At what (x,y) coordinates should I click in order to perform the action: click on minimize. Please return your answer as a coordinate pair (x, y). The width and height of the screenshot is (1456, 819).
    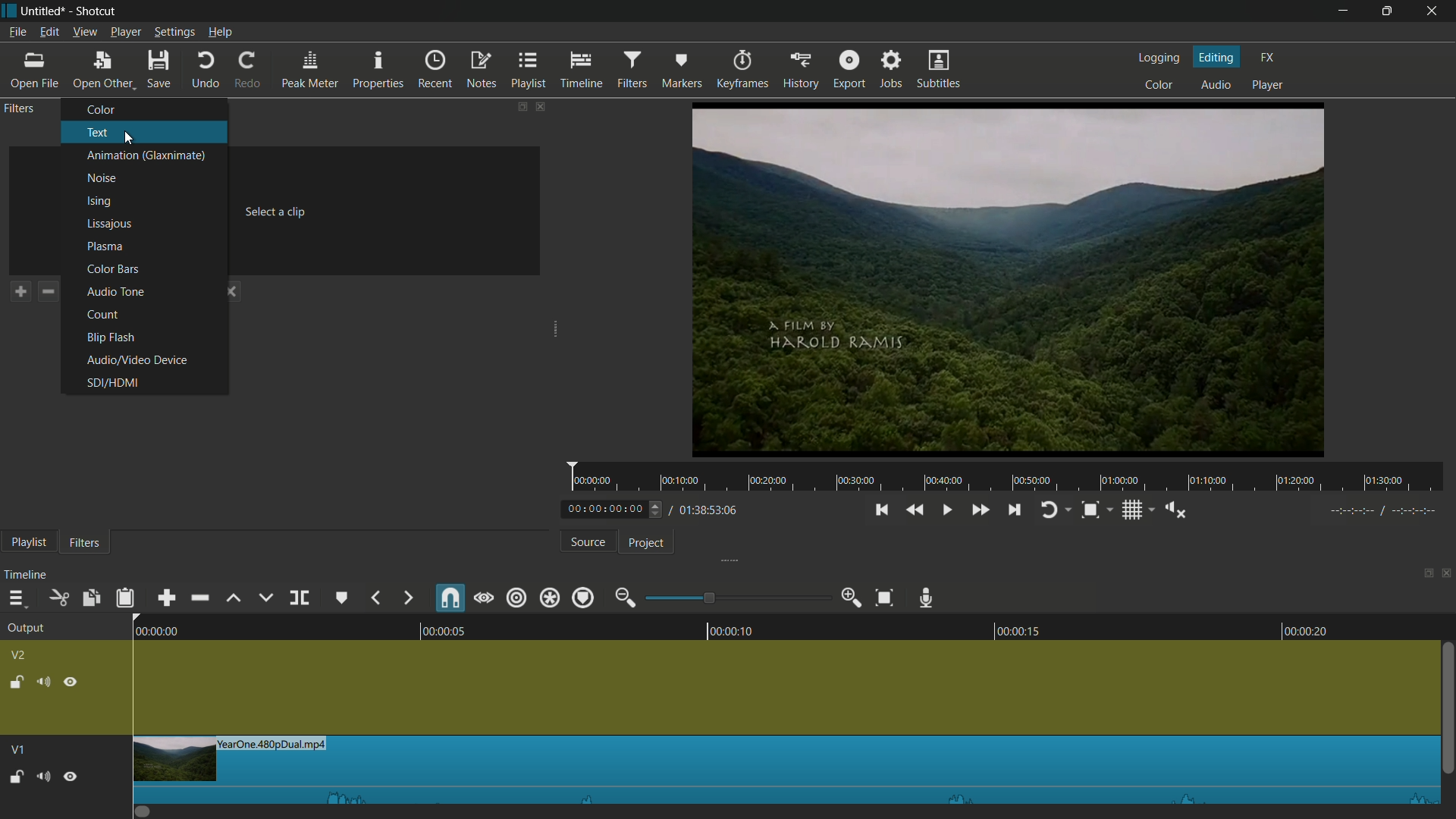
    Looking at the image, I should click on (1346, 11).